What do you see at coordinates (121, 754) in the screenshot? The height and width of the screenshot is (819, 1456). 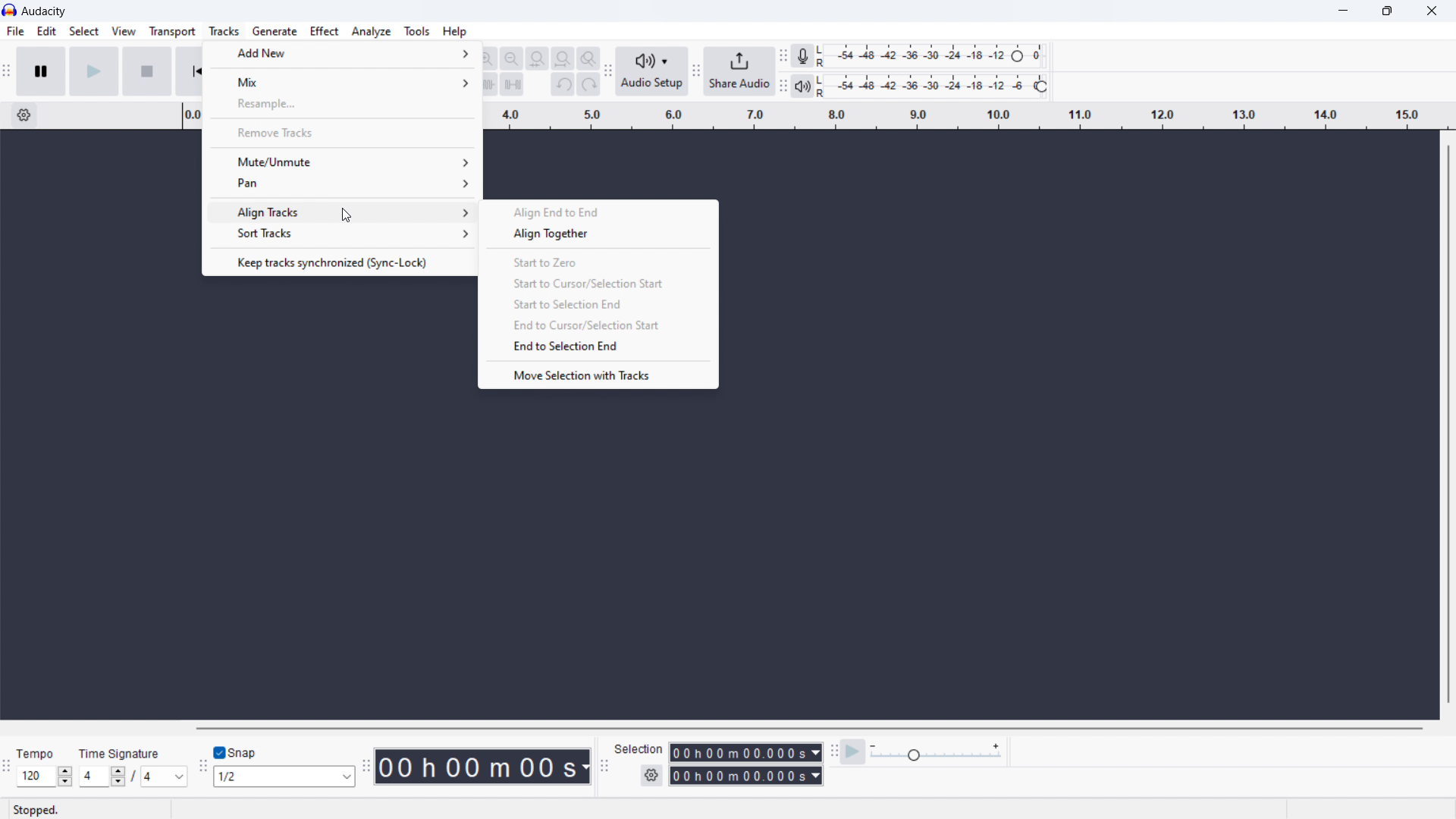 I see `Time Signatures` at bounding box center [121, 754].